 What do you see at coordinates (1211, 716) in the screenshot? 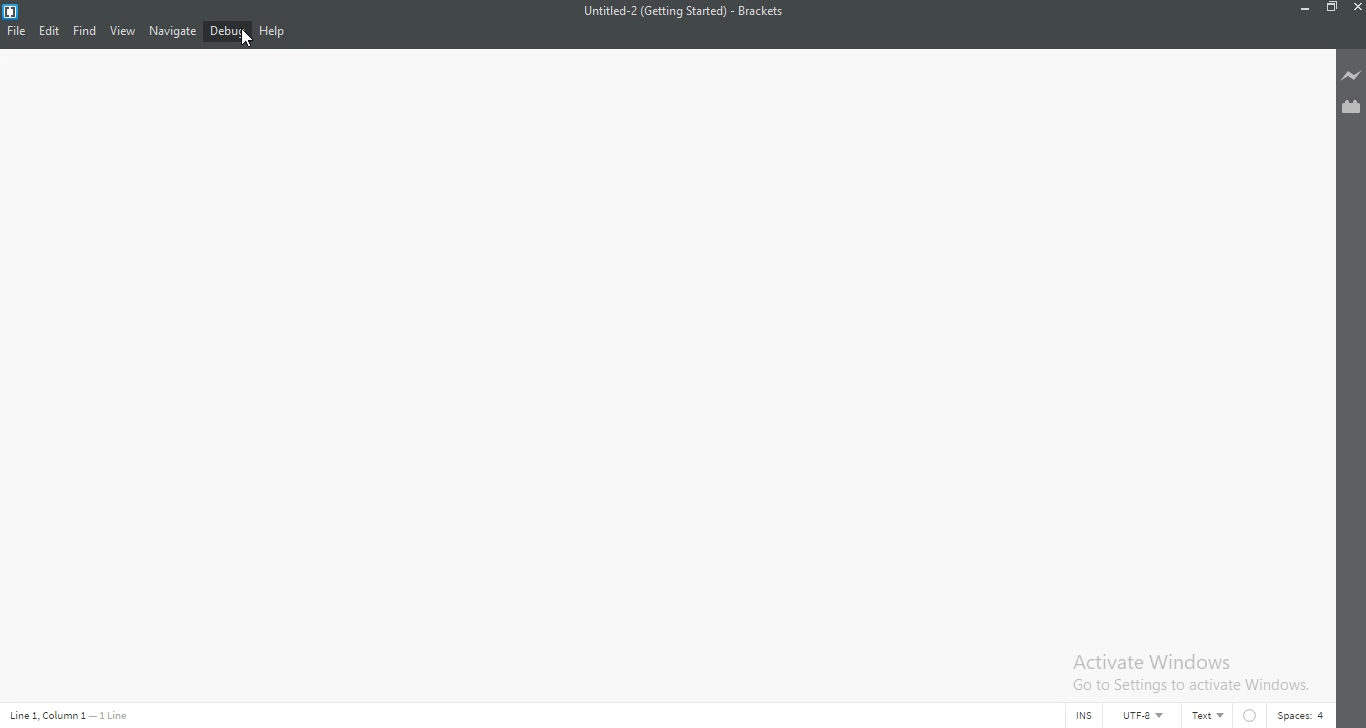
I see `text` at bounding box center [1211, 716].